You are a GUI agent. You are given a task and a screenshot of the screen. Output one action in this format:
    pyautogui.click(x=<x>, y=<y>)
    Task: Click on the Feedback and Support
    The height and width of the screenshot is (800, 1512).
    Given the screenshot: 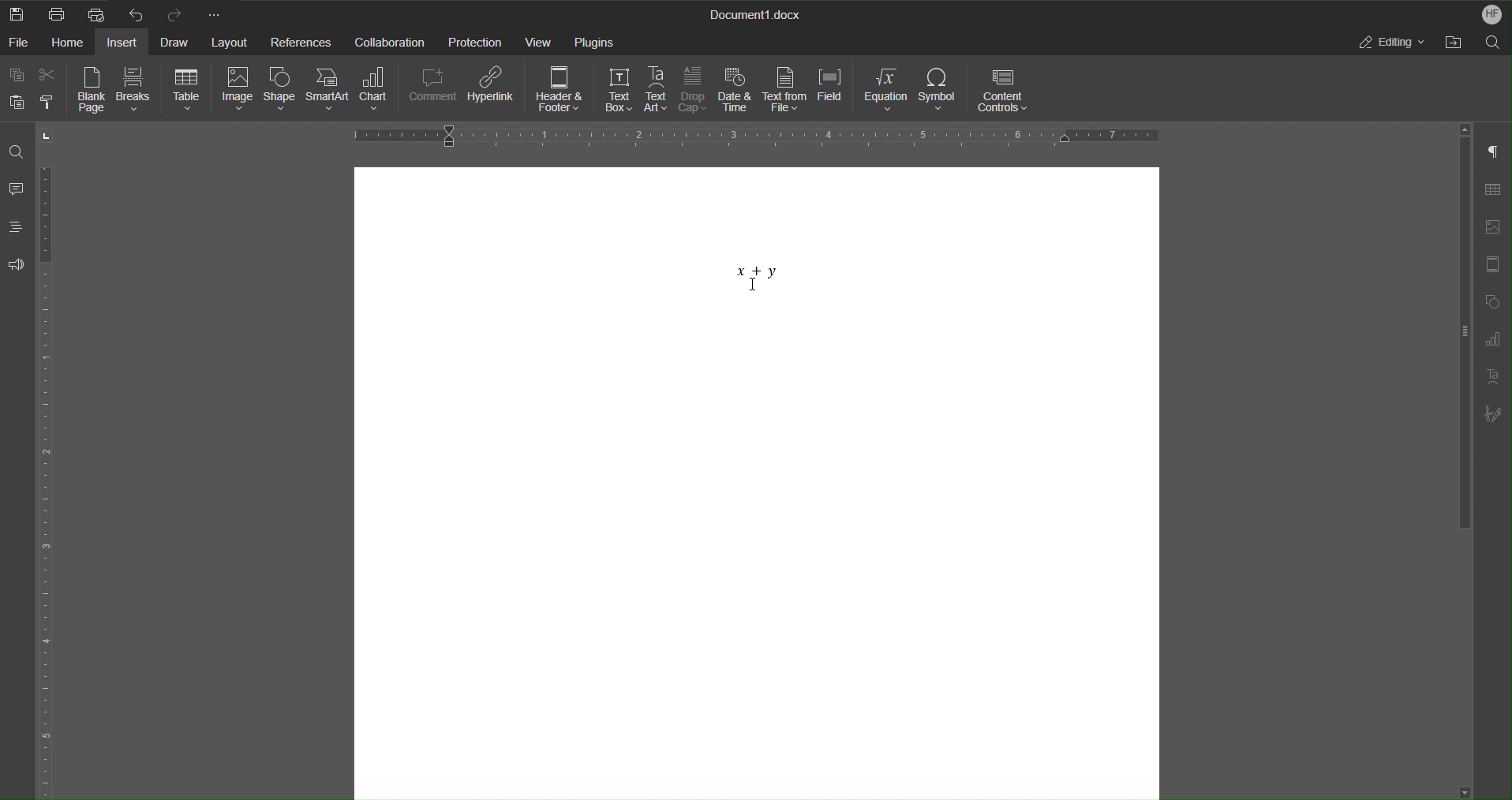 What is the action you would take?
    pyautogui.click(x=17, y=267)
    